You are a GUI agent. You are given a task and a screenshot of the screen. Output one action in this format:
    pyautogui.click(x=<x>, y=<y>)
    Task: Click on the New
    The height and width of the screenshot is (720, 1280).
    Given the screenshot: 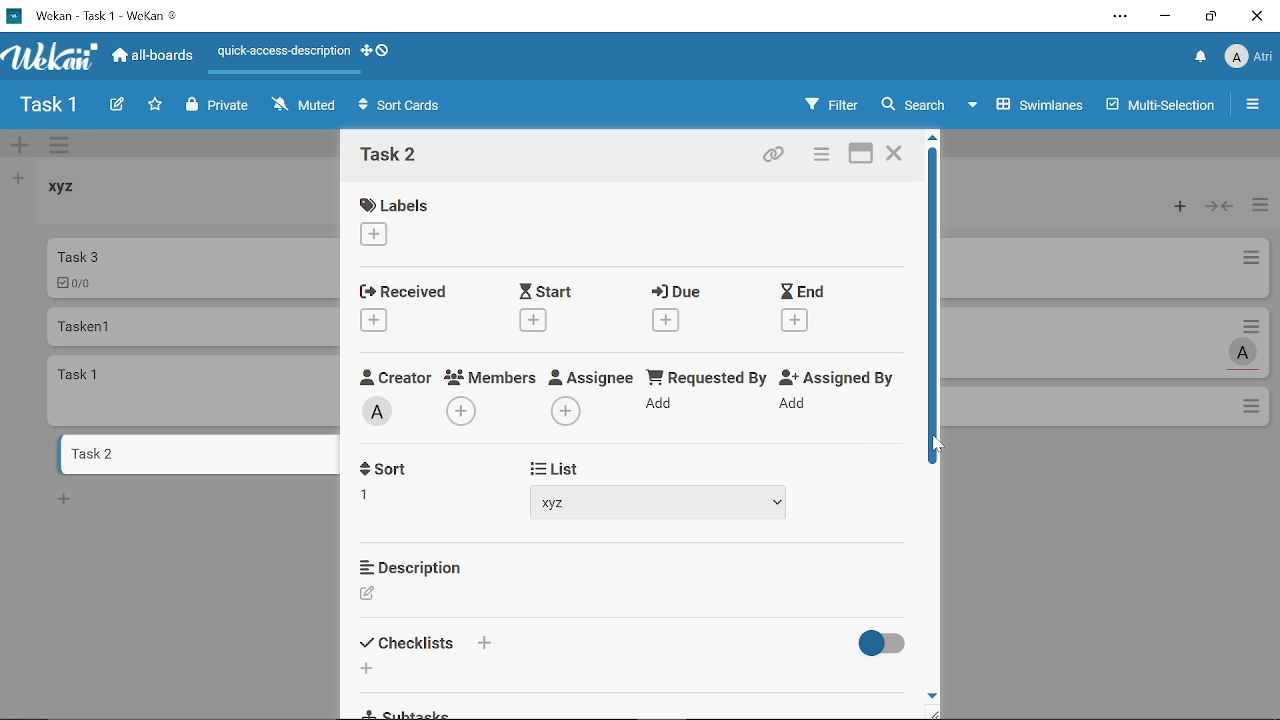 What is the action you would take?
    pyautogui.click(x=64, y=498)
    